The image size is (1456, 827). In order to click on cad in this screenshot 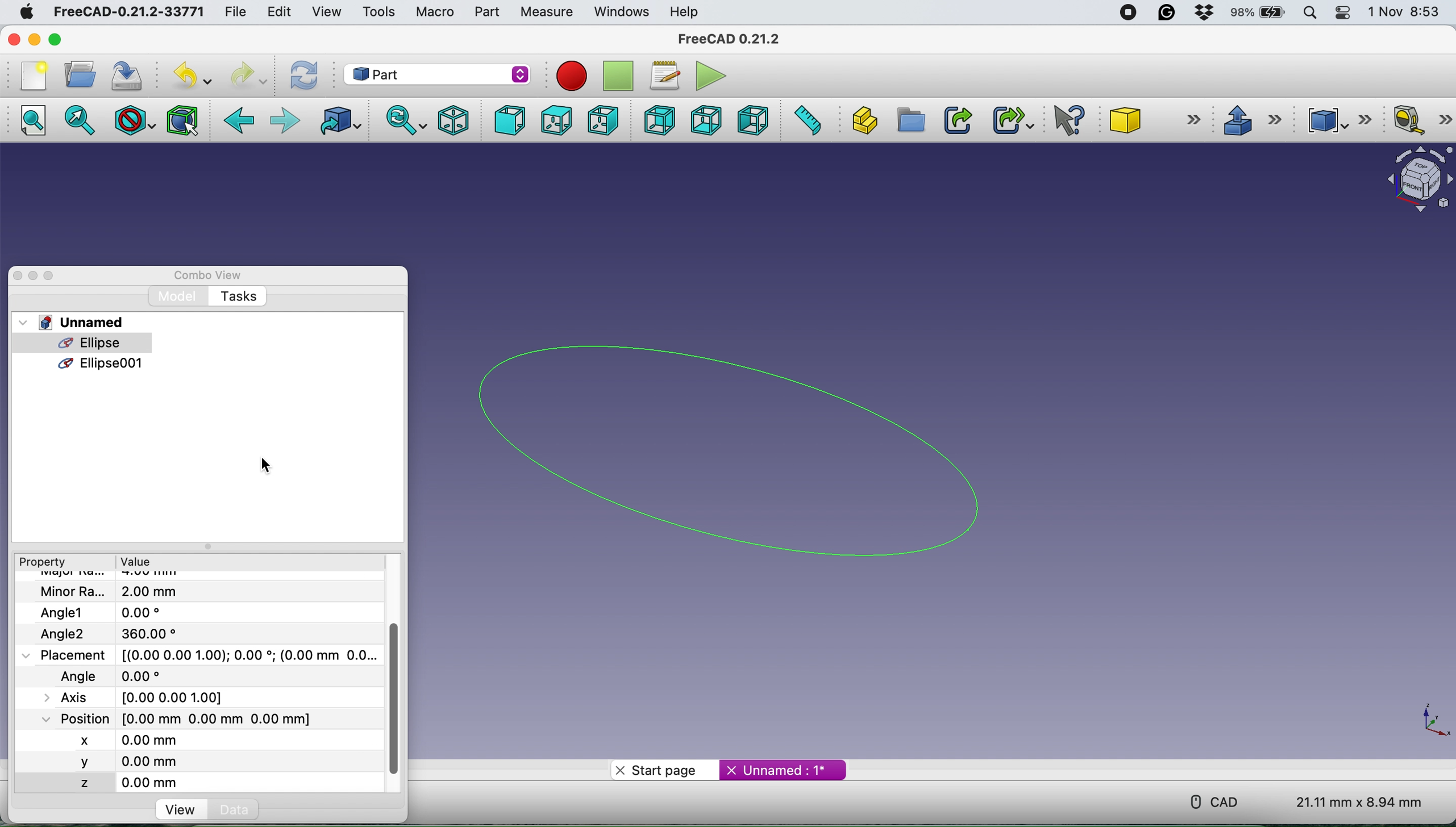, I will do `click(1217, 800)`.